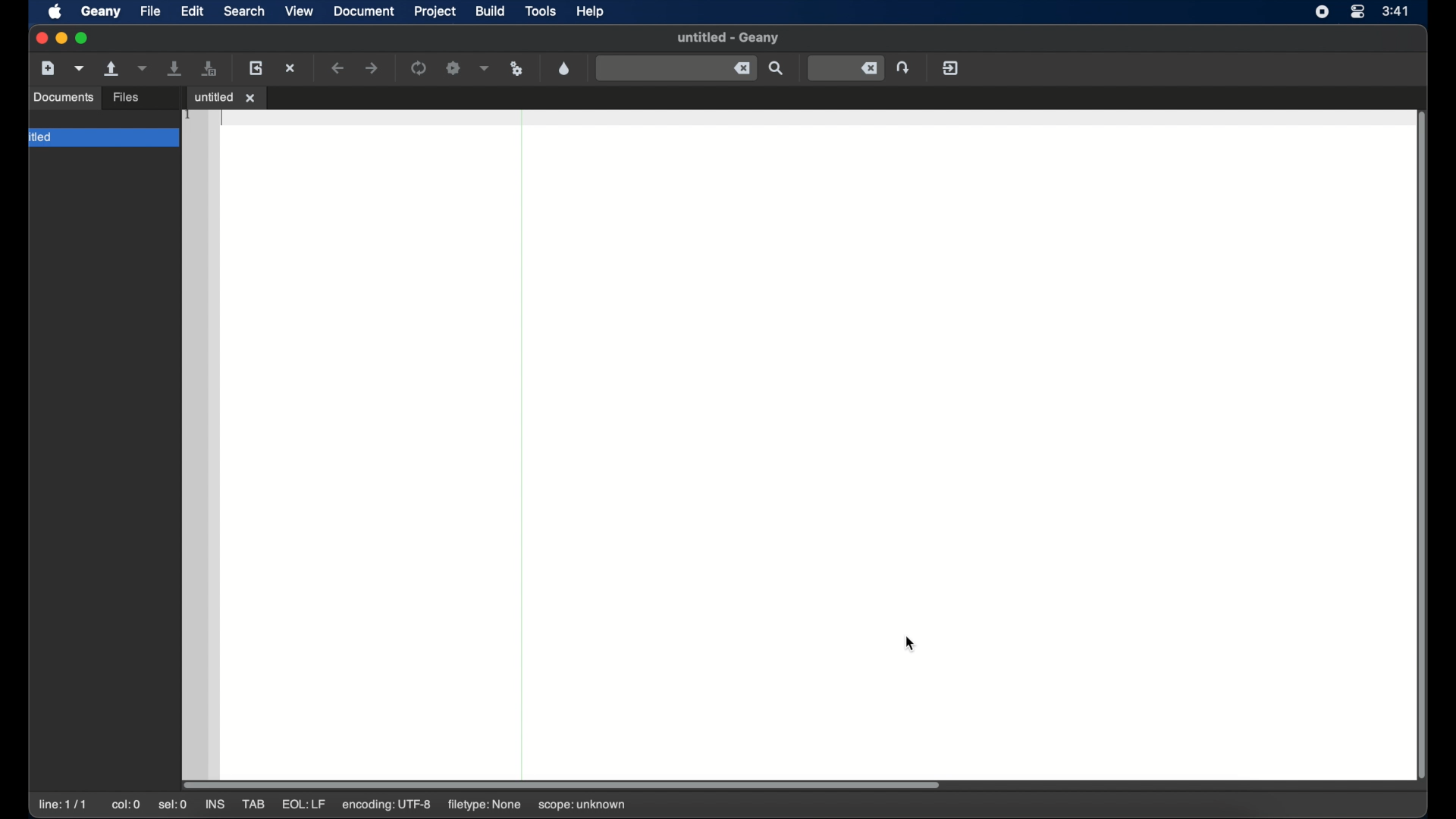 This screenshot has width=1456, height=819. Describe the element at coordinates (211, 68) in the screenshot. I see `save all open files` at that location.